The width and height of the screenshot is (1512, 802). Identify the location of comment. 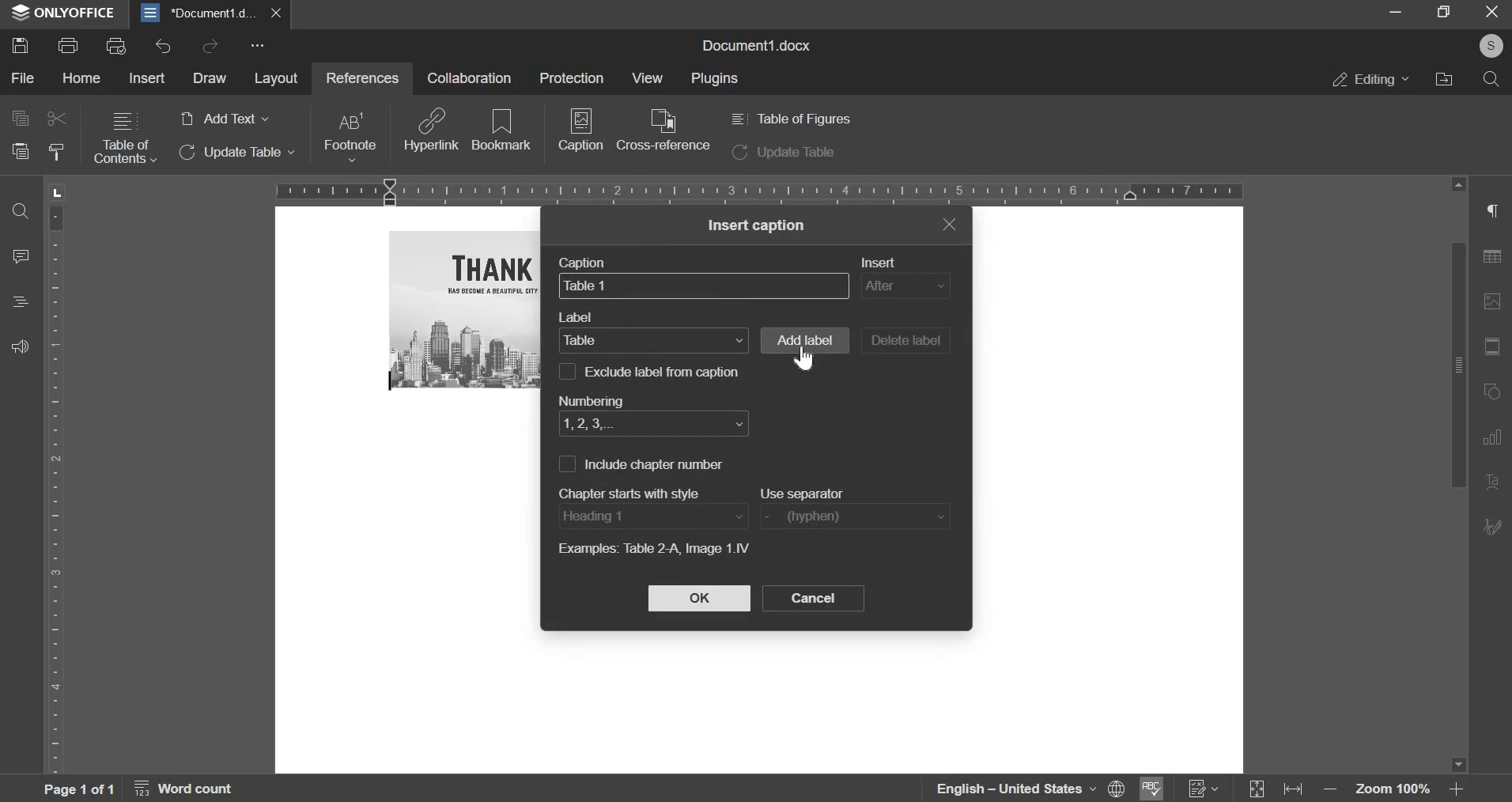
(22, 255).